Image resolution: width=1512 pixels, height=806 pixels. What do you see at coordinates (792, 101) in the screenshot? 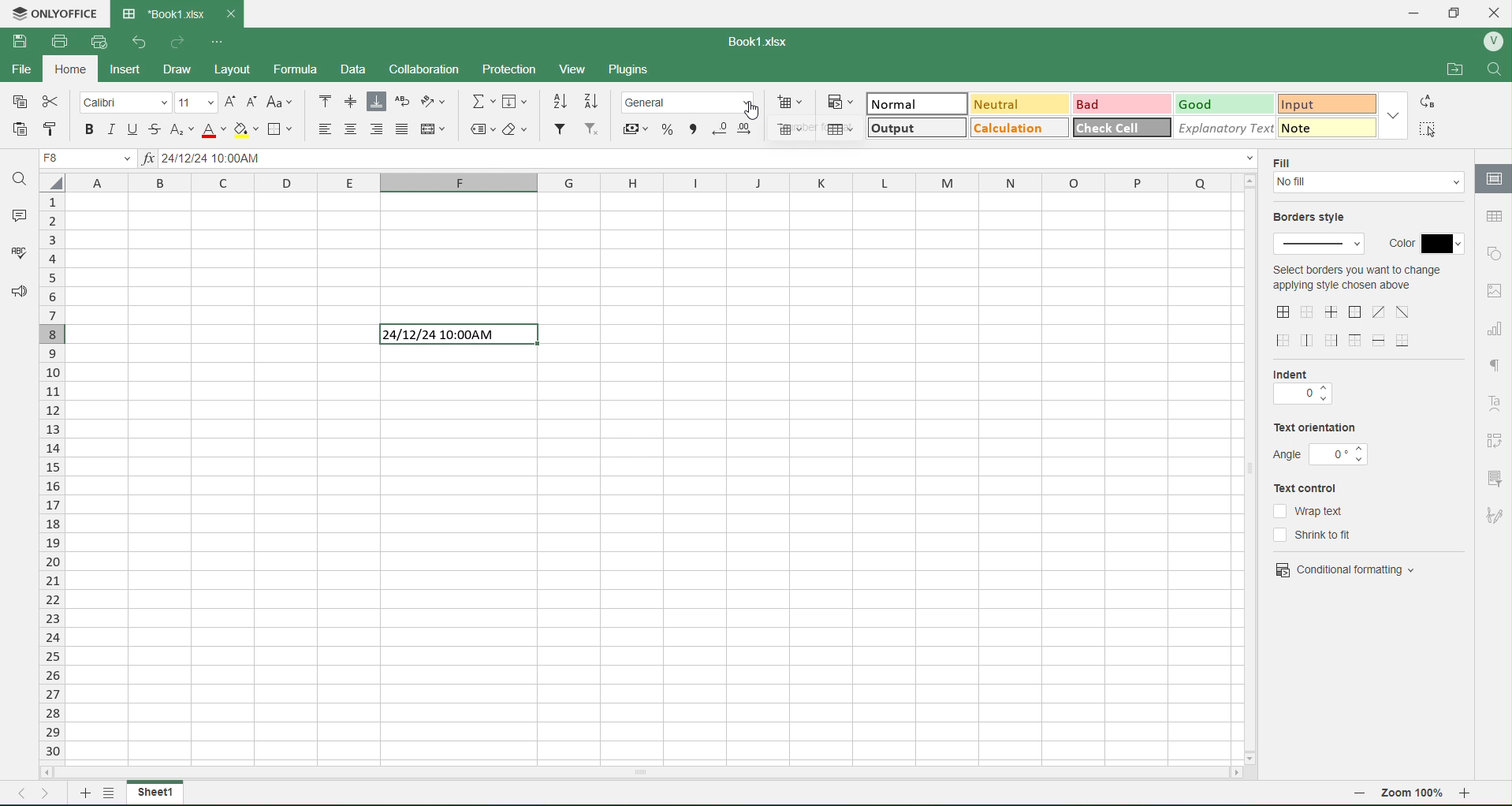
I see `Insert Cells` at bounding box center [792, 101].